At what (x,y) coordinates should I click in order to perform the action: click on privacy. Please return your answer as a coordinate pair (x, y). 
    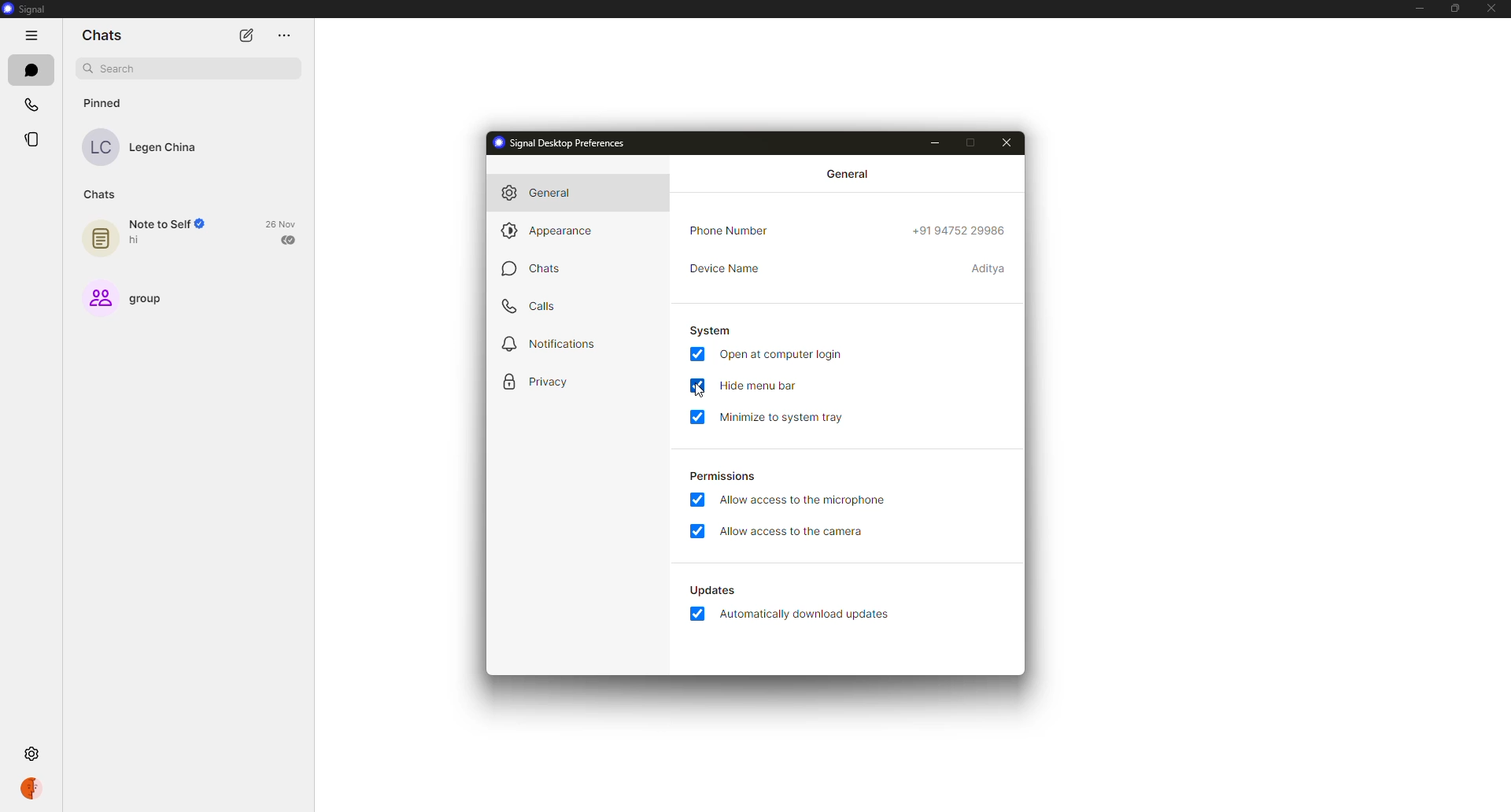
    Looking at the image, I should click on (539, 383).